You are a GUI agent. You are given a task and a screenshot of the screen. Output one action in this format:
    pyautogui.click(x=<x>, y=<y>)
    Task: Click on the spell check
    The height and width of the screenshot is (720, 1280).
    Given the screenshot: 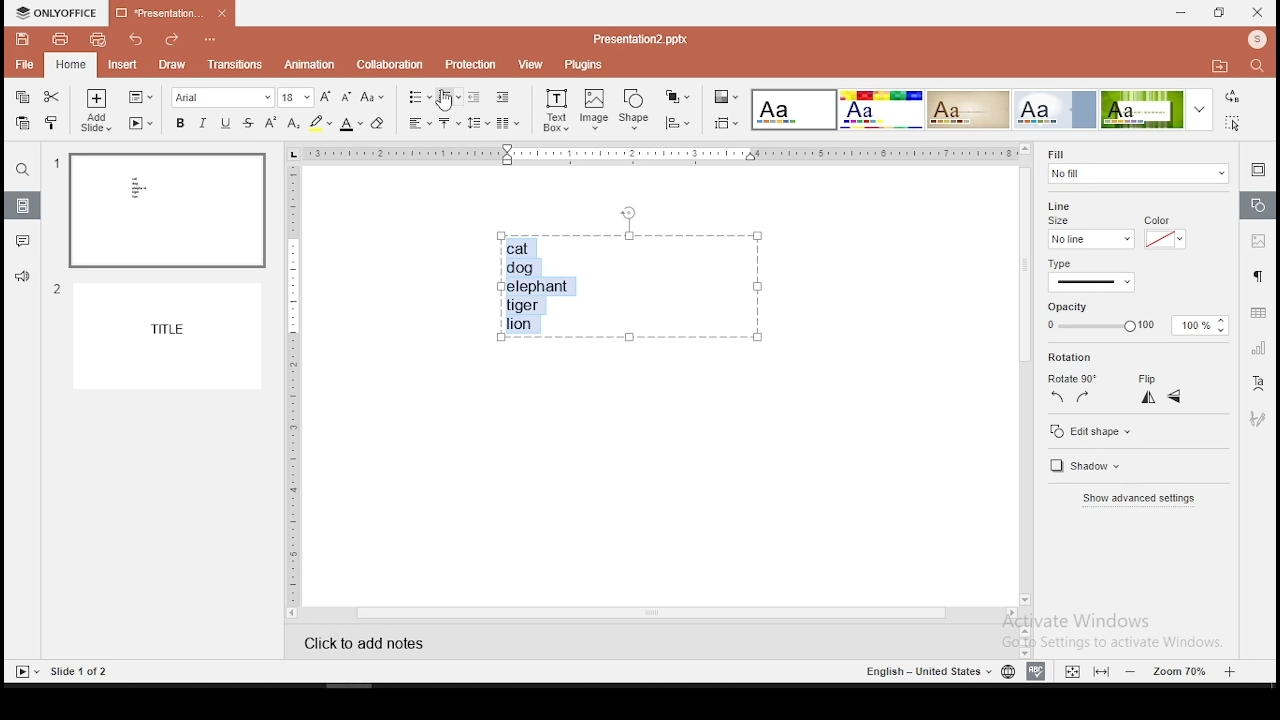 What is the action you would take?
    pyautogui.click(x=1036, y=672)
    